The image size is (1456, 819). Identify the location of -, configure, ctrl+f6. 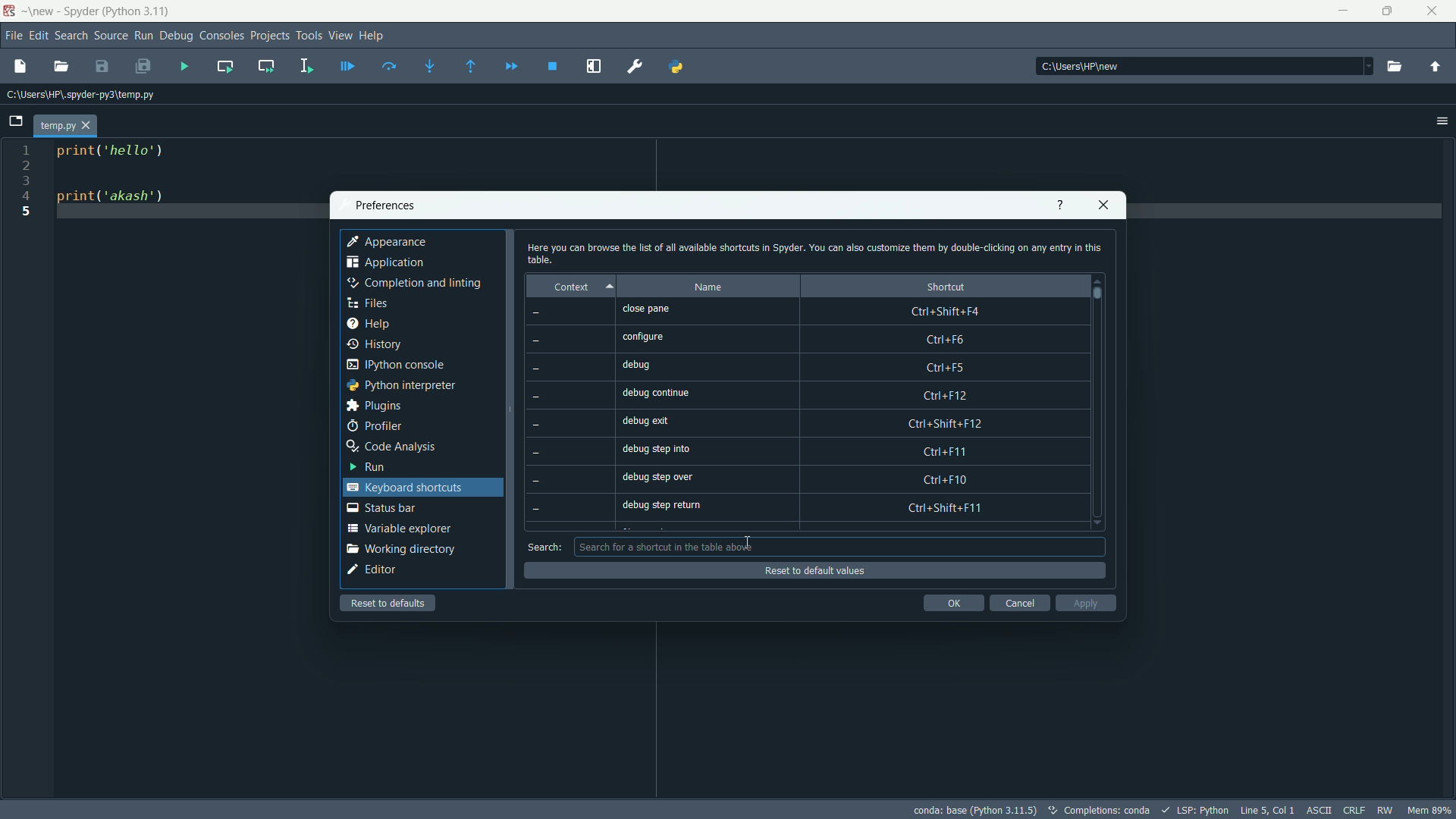
(798, 340).